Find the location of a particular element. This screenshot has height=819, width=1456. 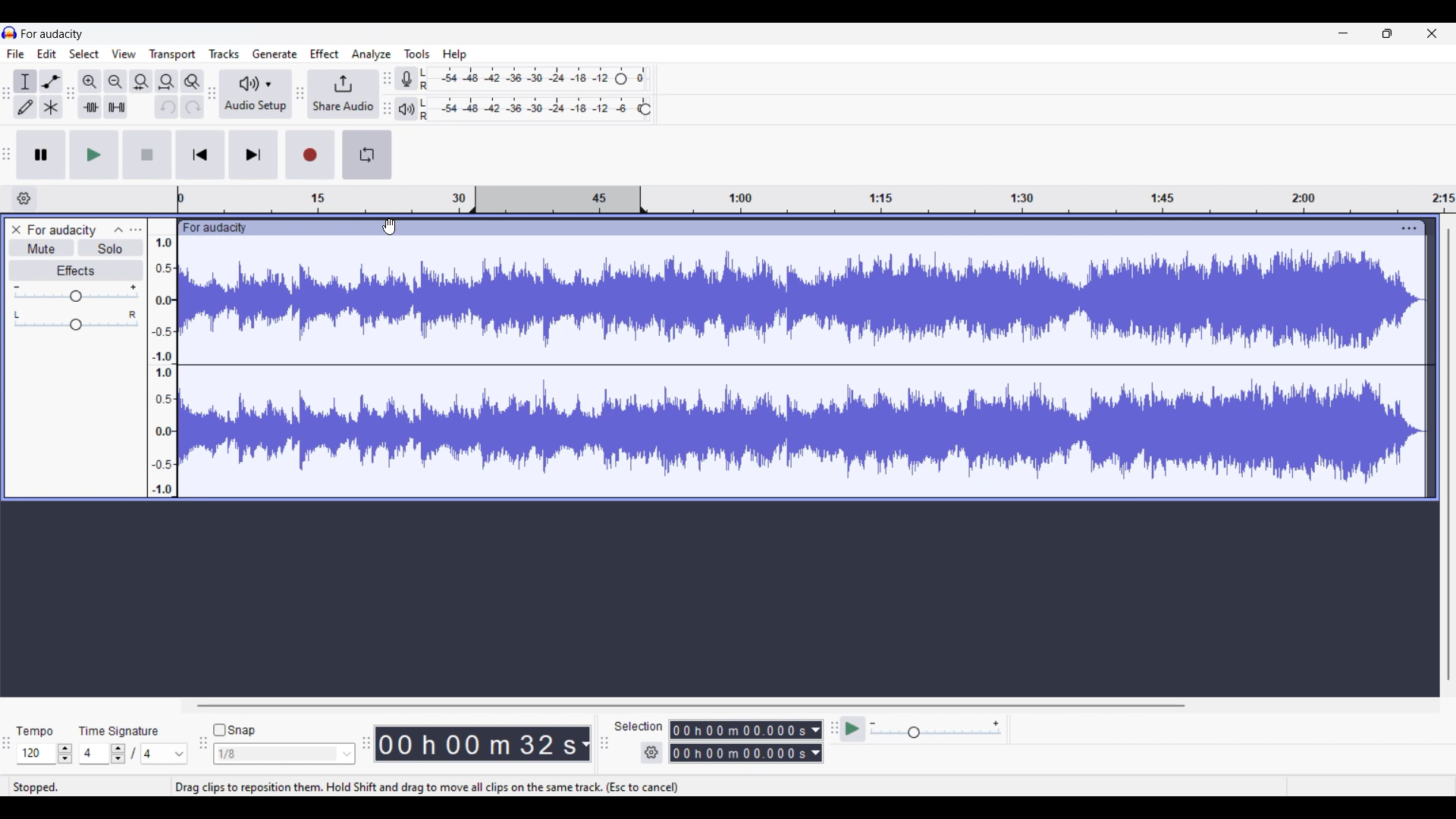

Draw tool is located at coordinates (26, 107).